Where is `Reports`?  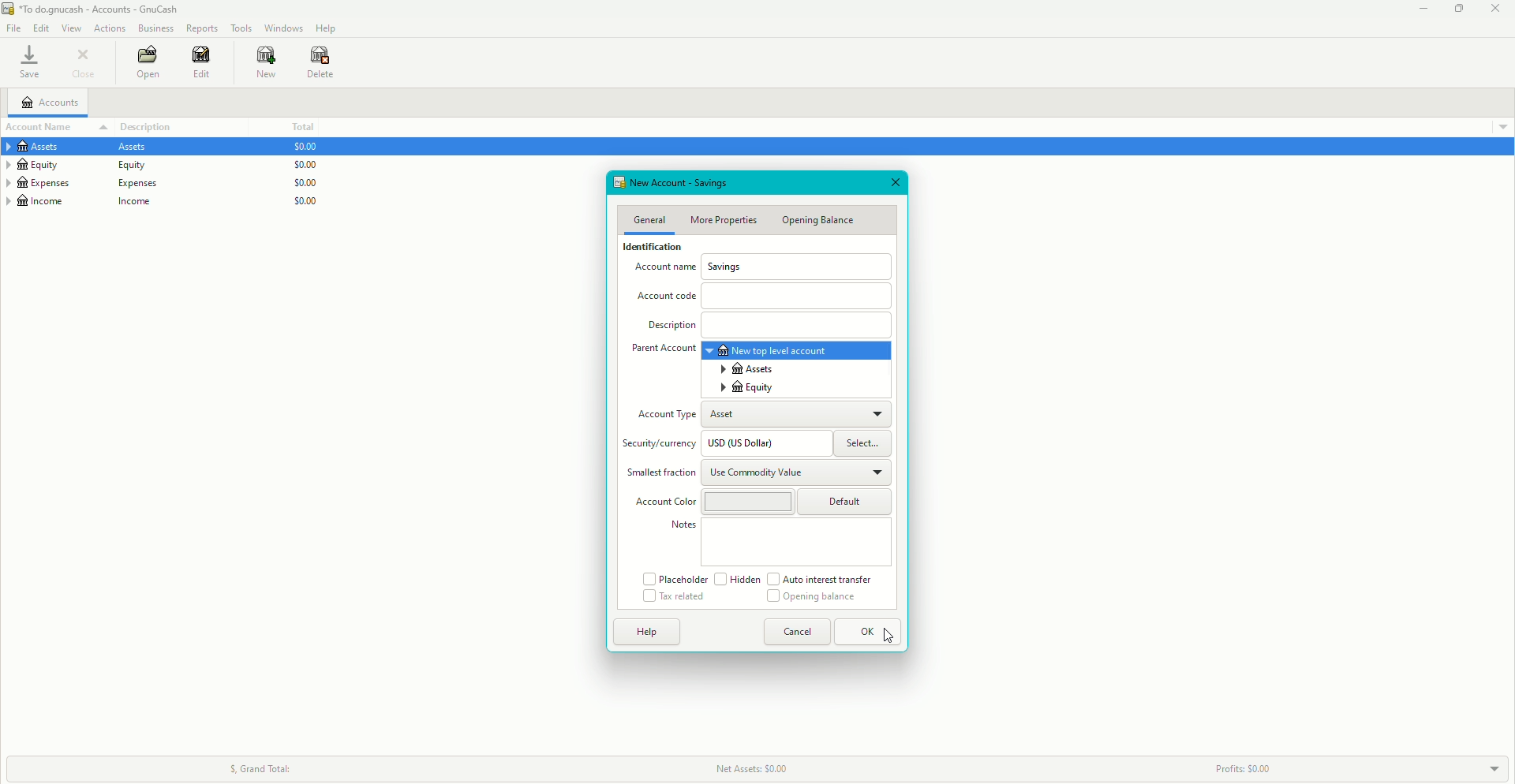
Reports is located at coordinates (202, 28).